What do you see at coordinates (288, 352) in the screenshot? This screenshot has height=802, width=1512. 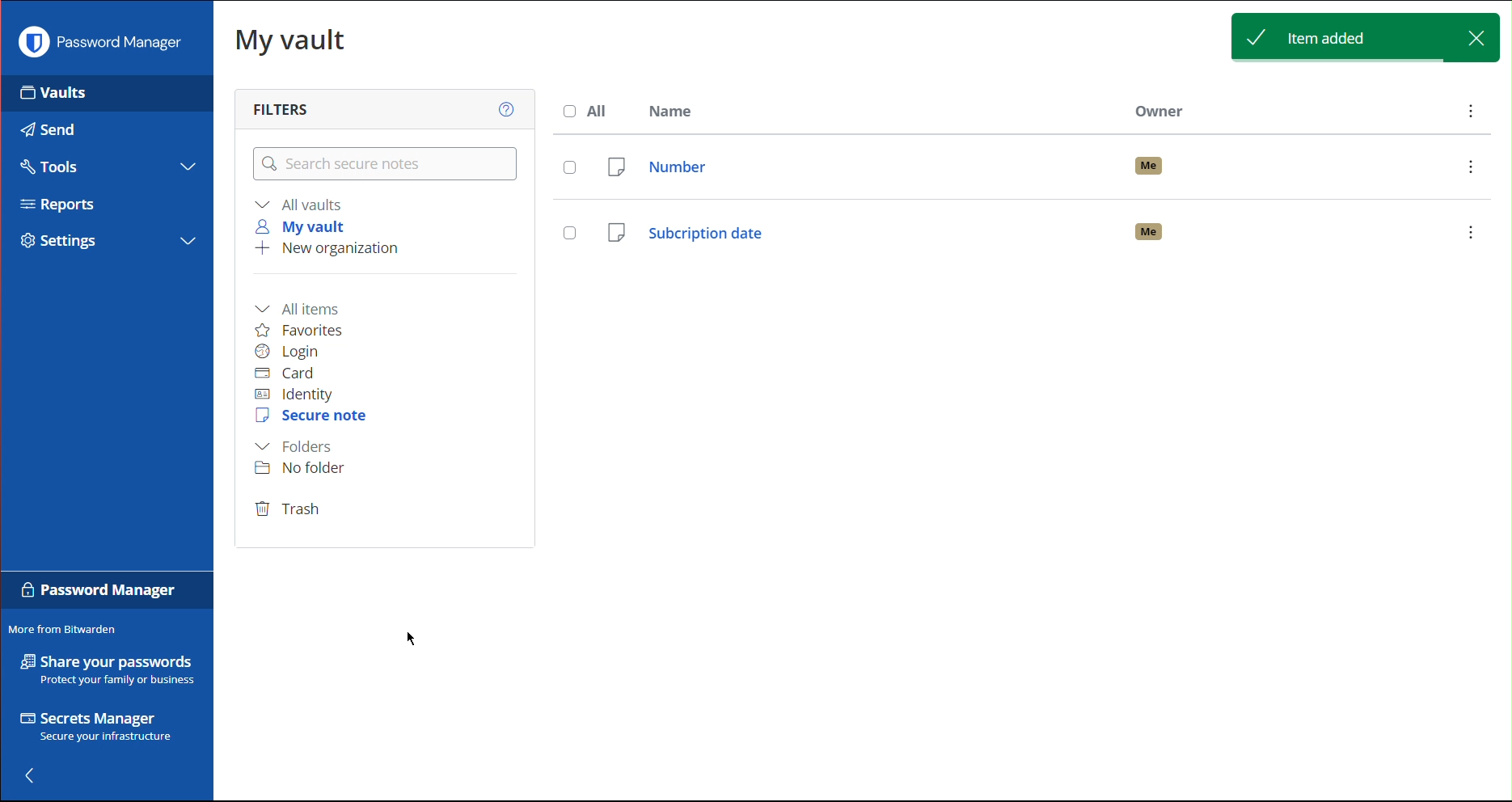 I see `Login` at bounding box center [288, 352].